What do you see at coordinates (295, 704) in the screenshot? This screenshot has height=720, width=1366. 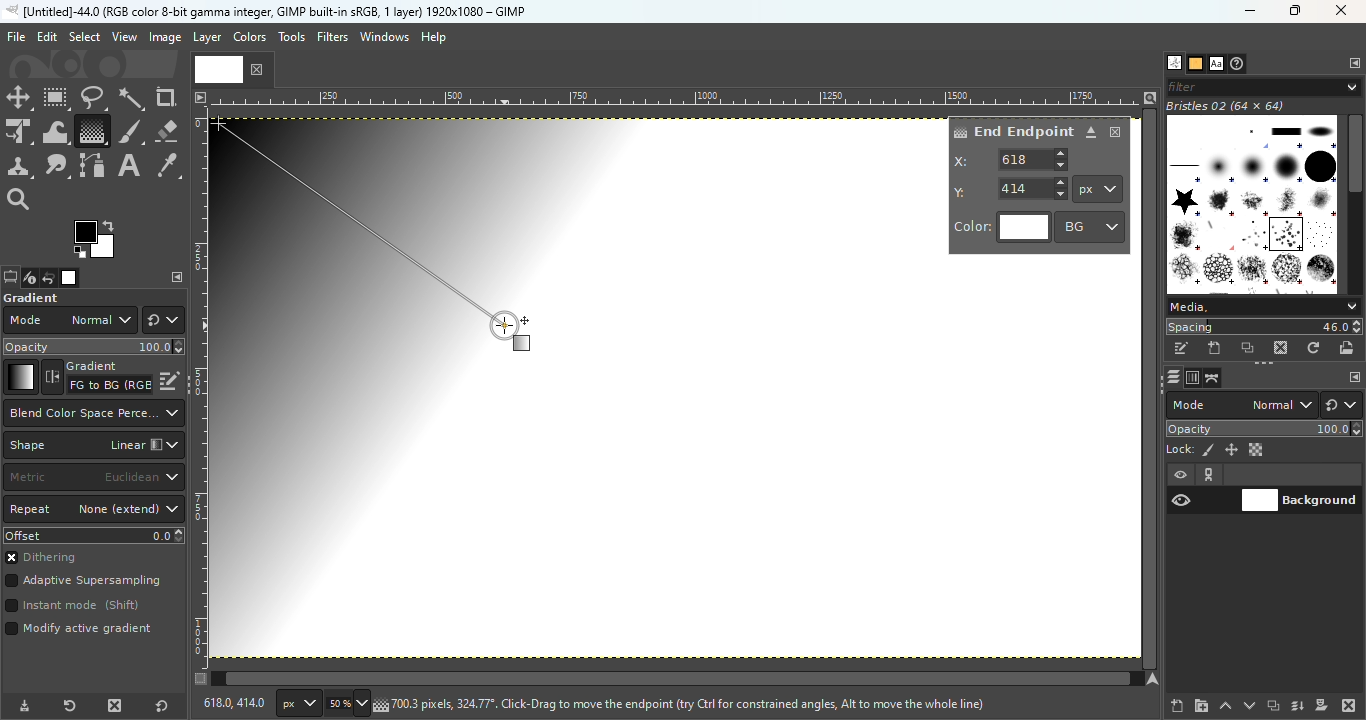 I see `Ruler measurement` at bounding box center [295, 704].